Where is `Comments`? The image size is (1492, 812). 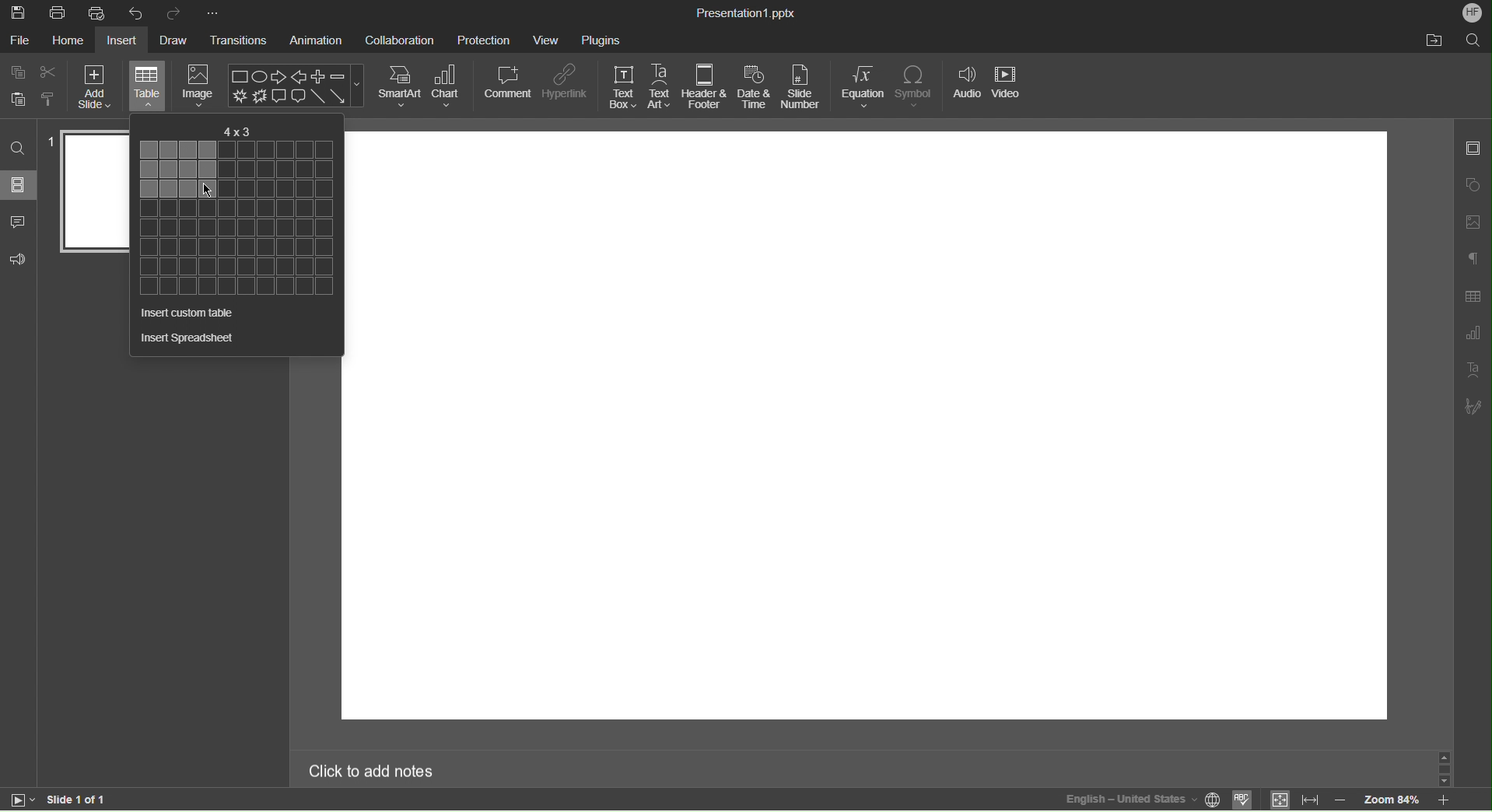 Comments is located at coordinates (19, 222).